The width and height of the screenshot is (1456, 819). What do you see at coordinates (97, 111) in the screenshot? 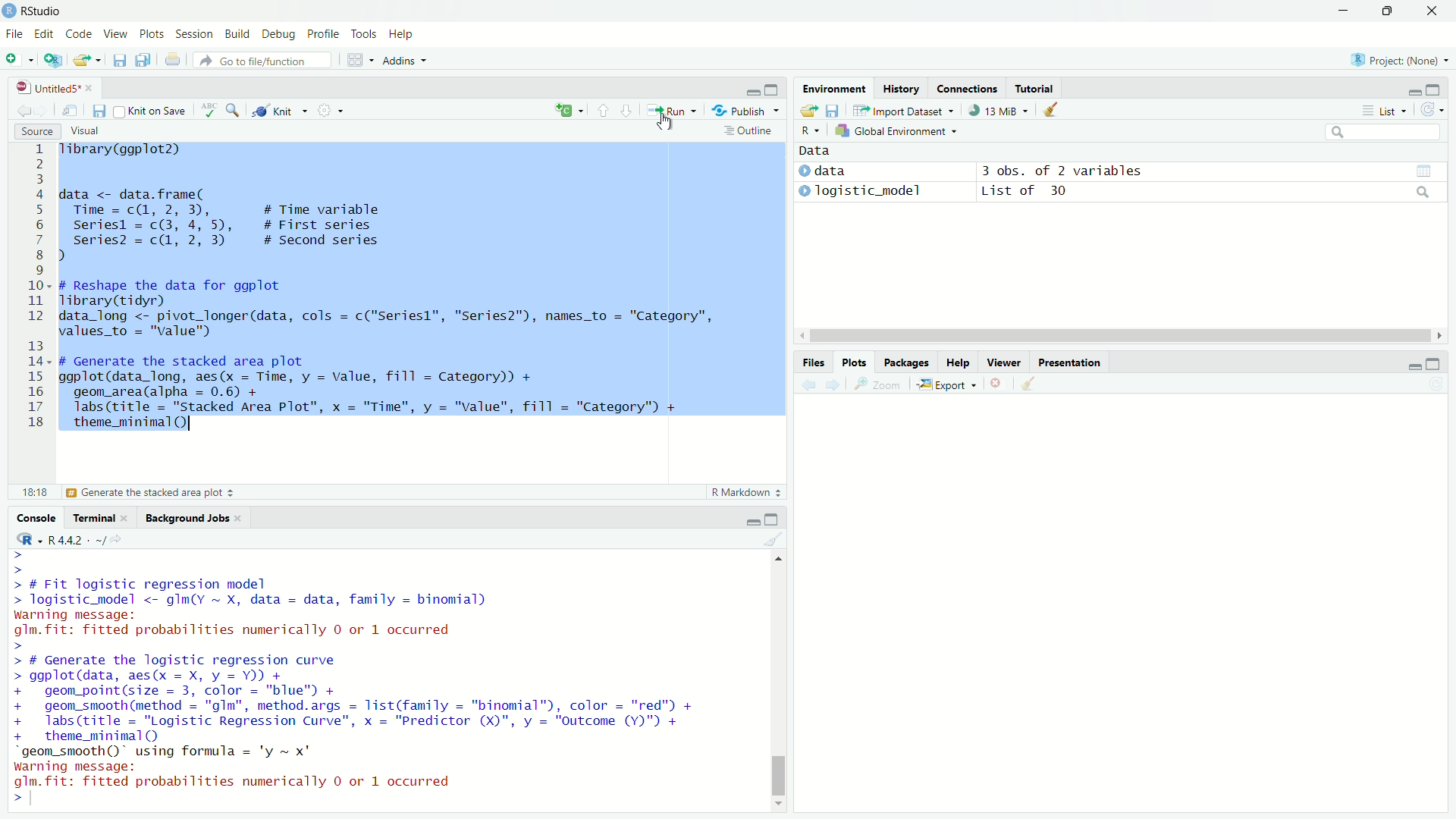
I see `save` at bounding box center [97, 111].